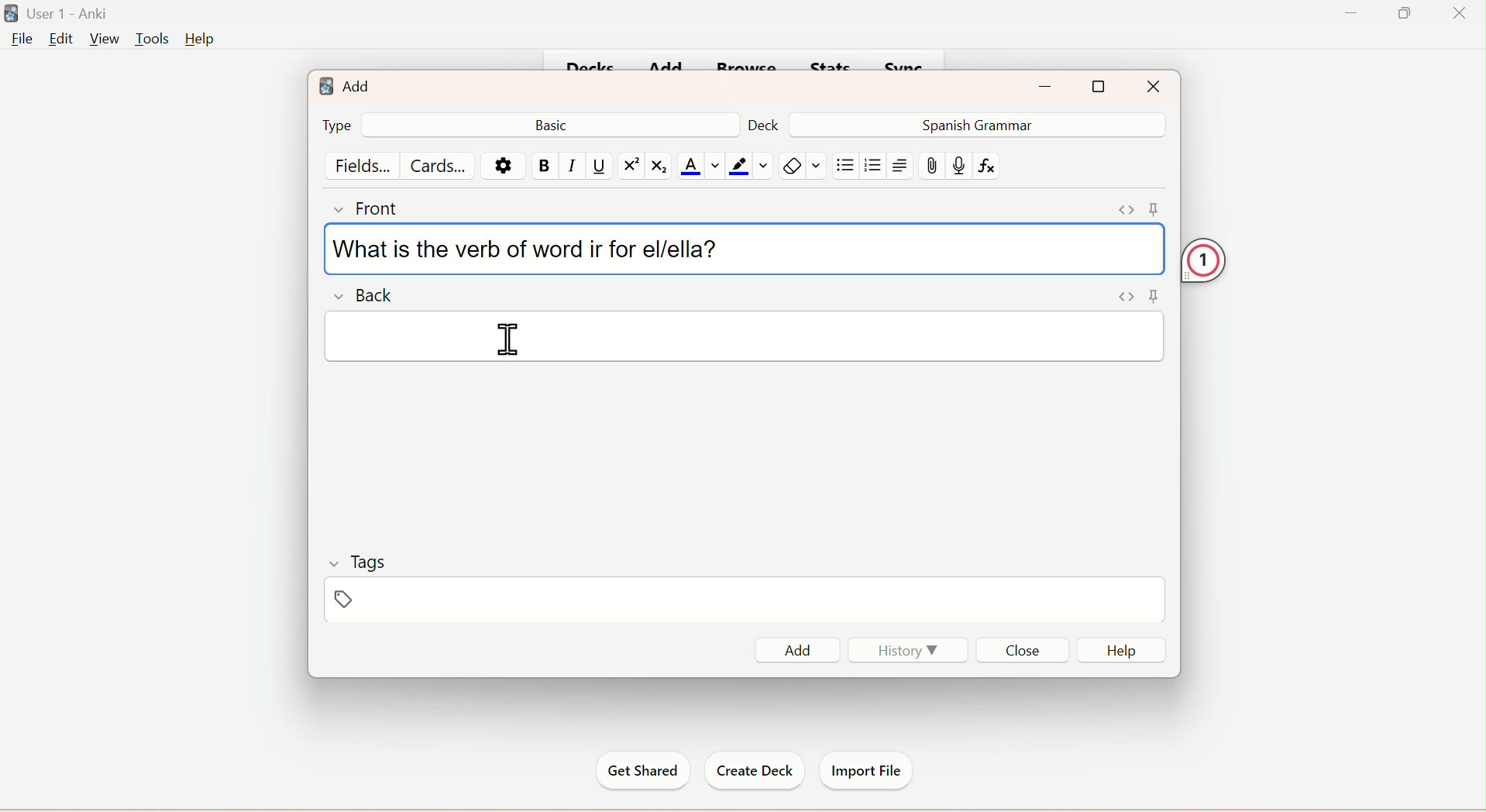  What do you see at coordinates (198, 40) in the screenshot?
I see `Help` at bounding box center [198, 40].